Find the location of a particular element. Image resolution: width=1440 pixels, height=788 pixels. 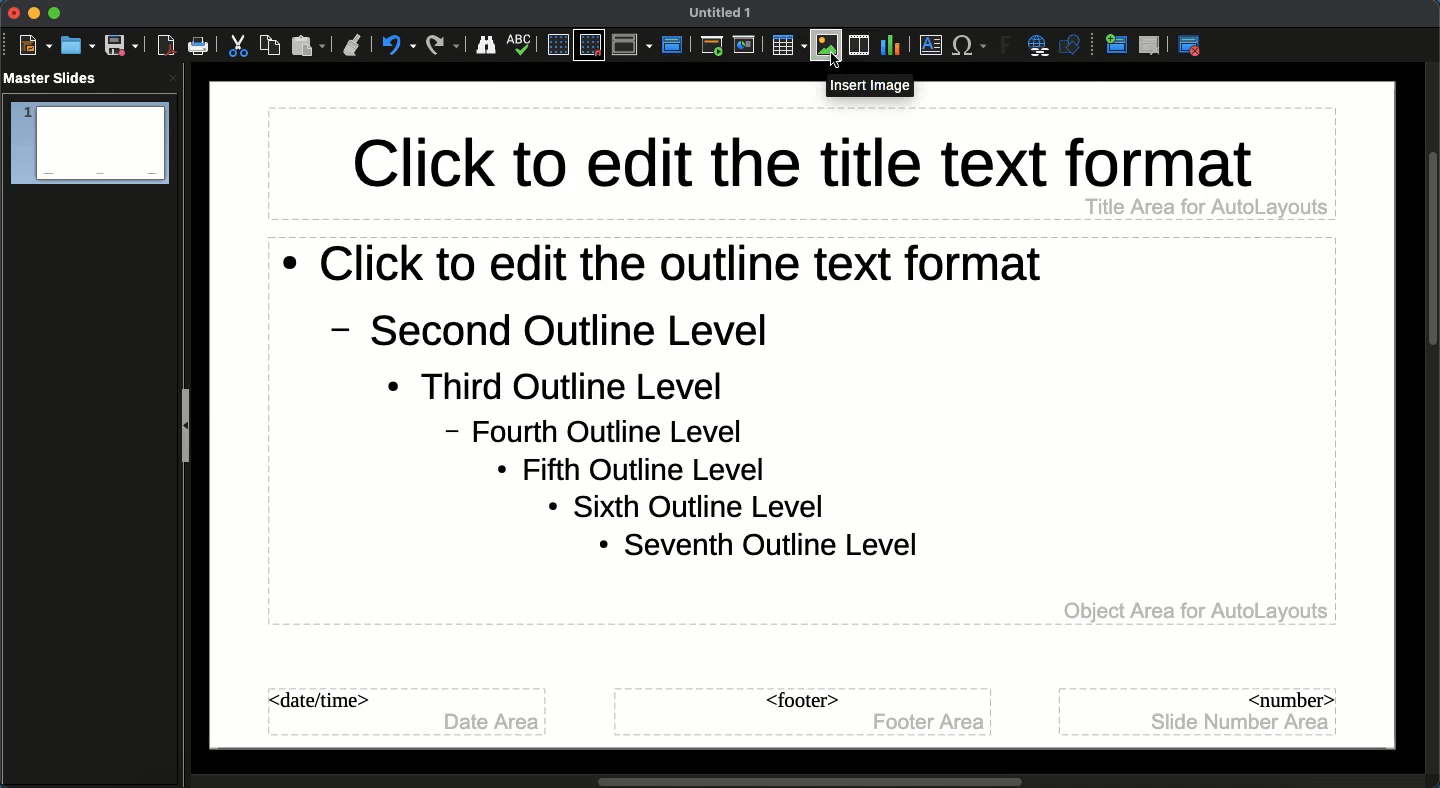

Finder is located at coordinates (485, 44).